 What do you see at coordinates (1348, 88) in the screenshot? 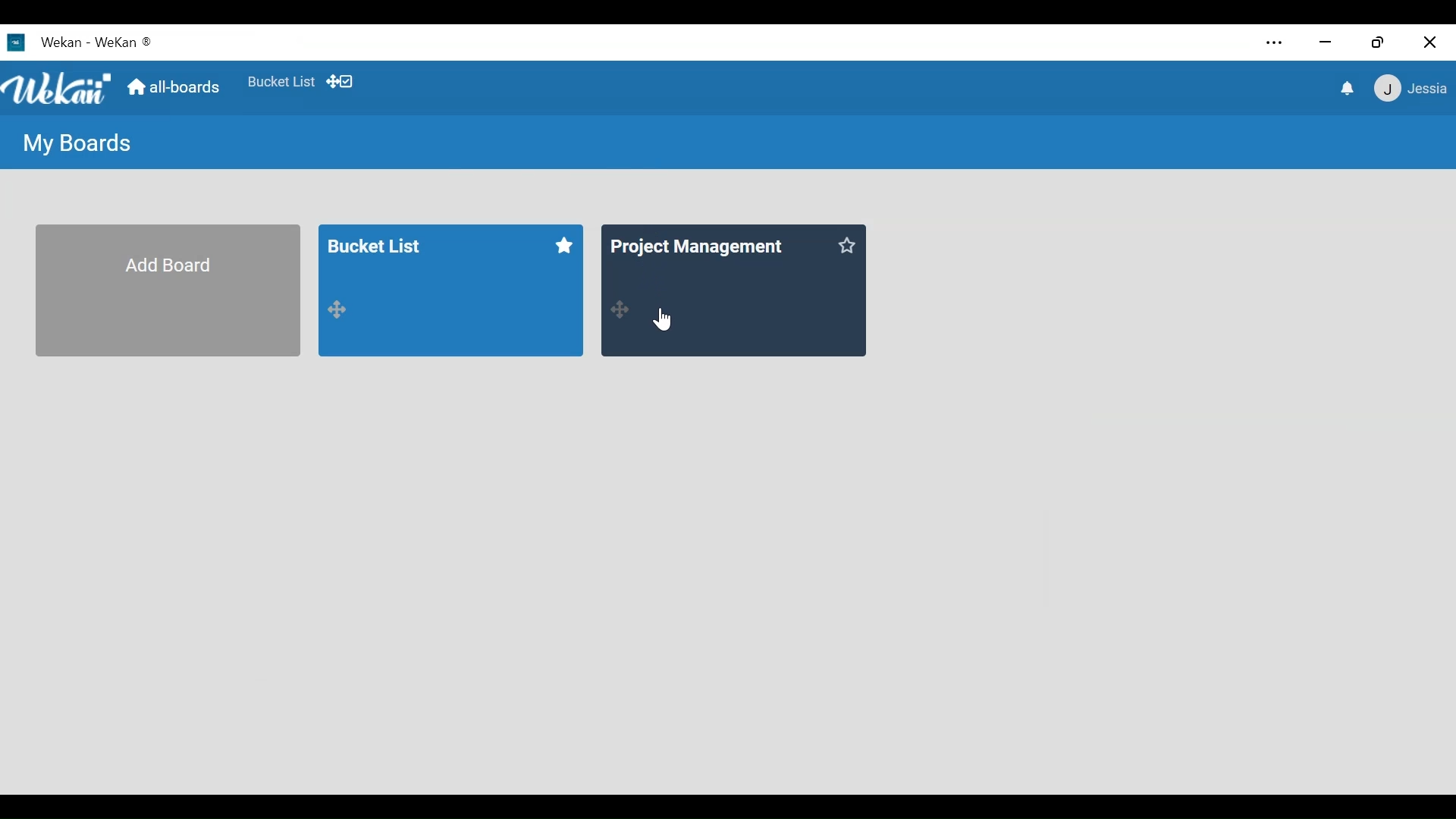
I see `notification` at bounding box center [1348, 88].